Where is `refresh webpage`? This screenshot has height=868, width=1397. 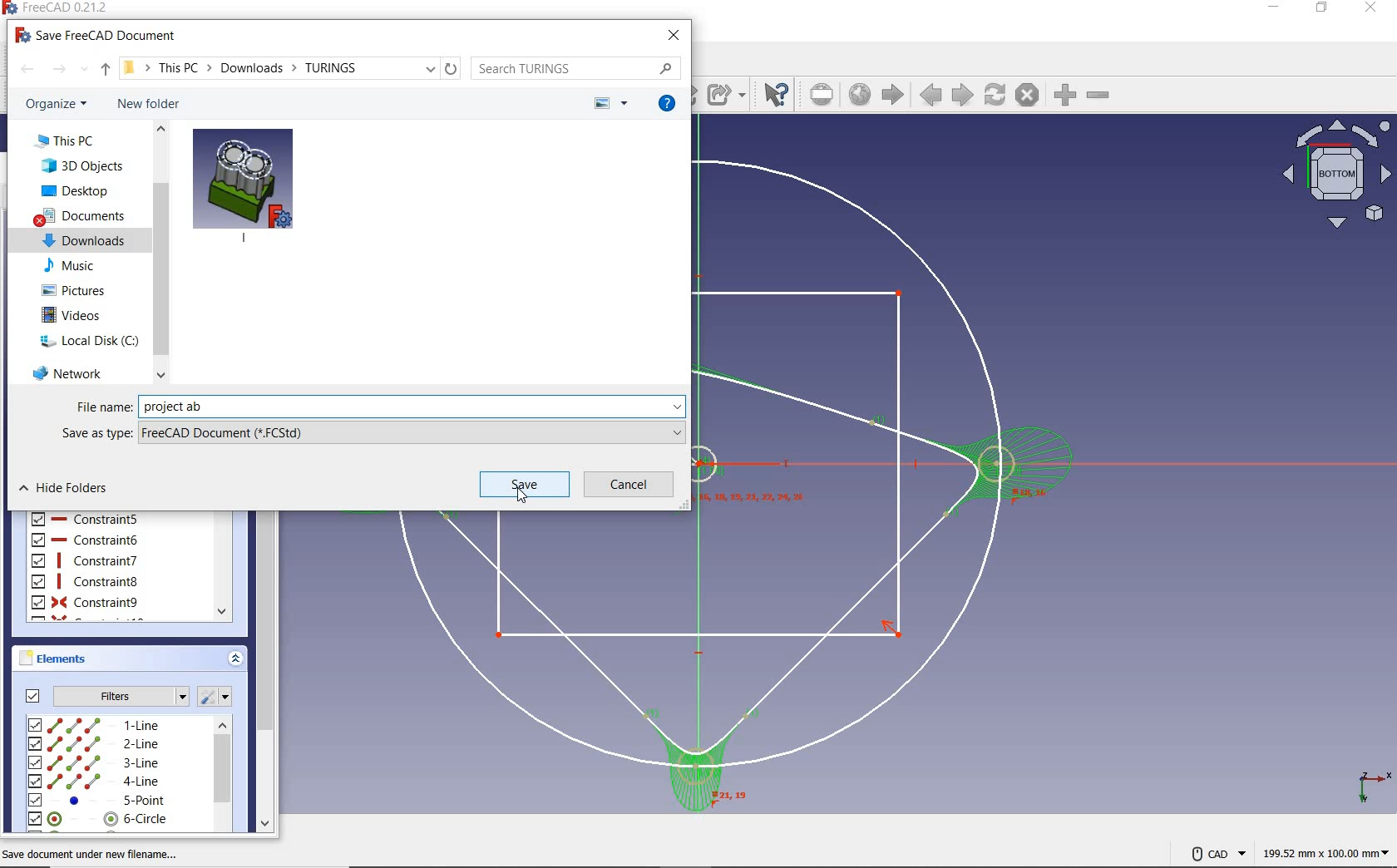 refresh webpage is located at coordinates (996, 96).